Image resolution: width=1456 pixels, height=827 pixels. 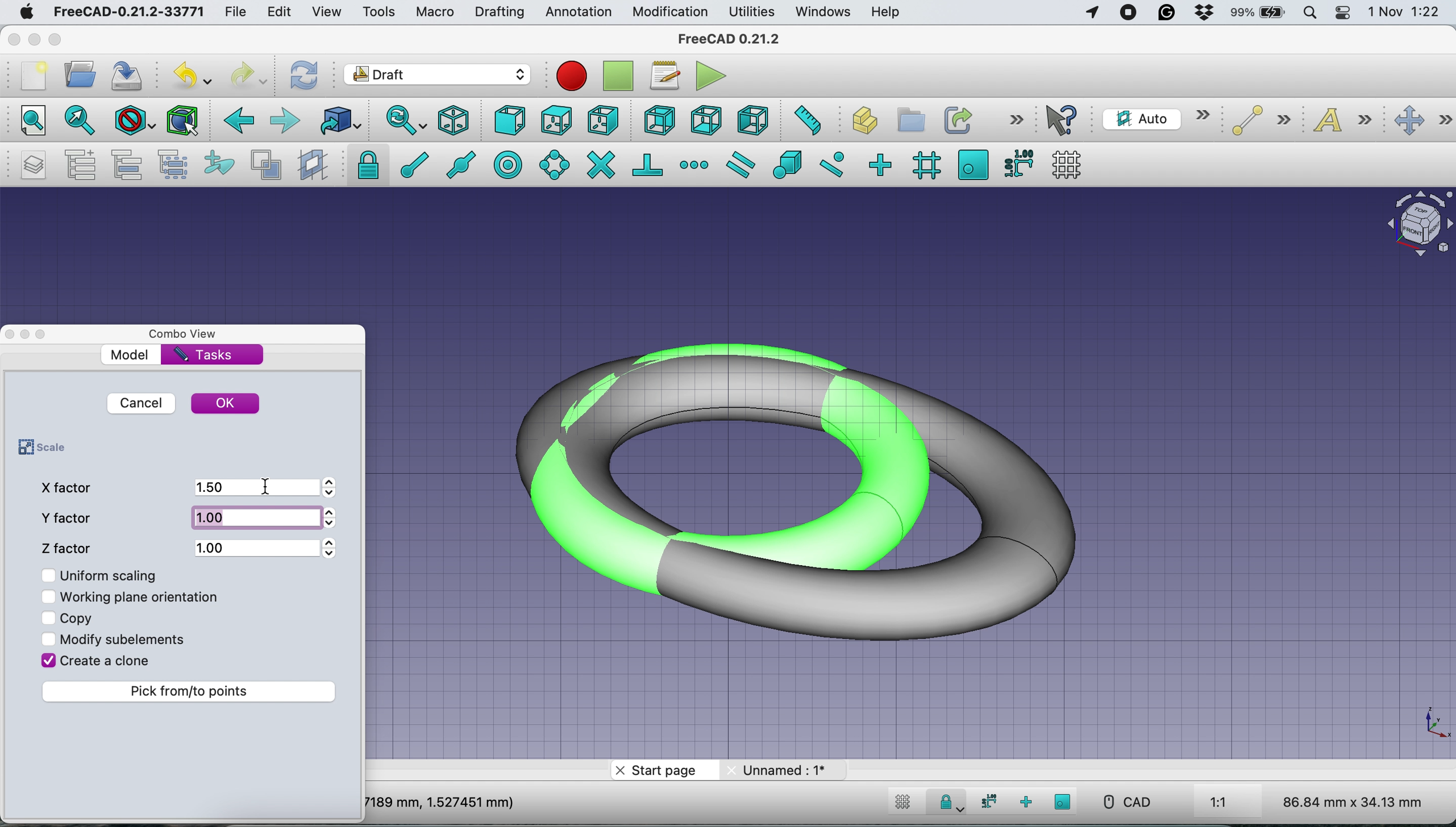 I want to click on file, so click(x=240, y=12).